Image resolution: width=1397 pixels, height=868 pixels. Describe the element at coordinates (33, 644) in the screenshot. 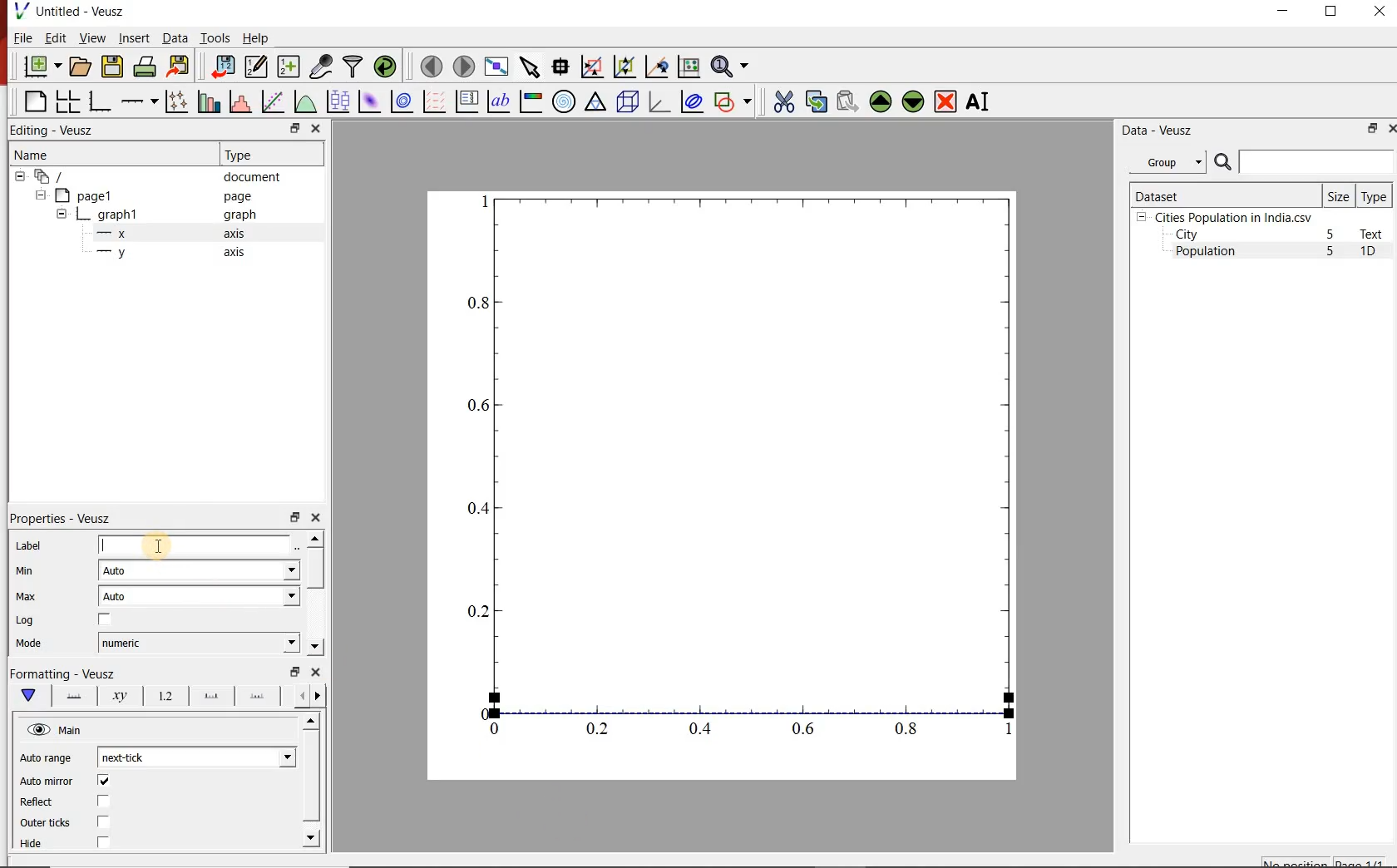

I see `Mode` at that location.